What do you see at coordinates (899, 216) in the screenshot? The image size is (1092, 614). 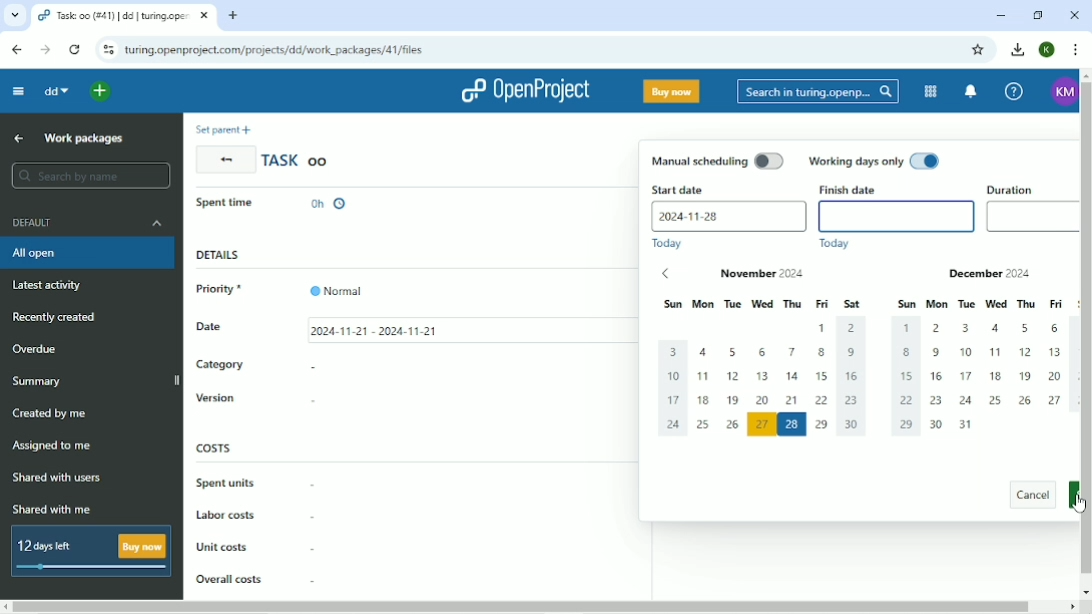 I see `empty finish date box` at bounding box center [899, 216].